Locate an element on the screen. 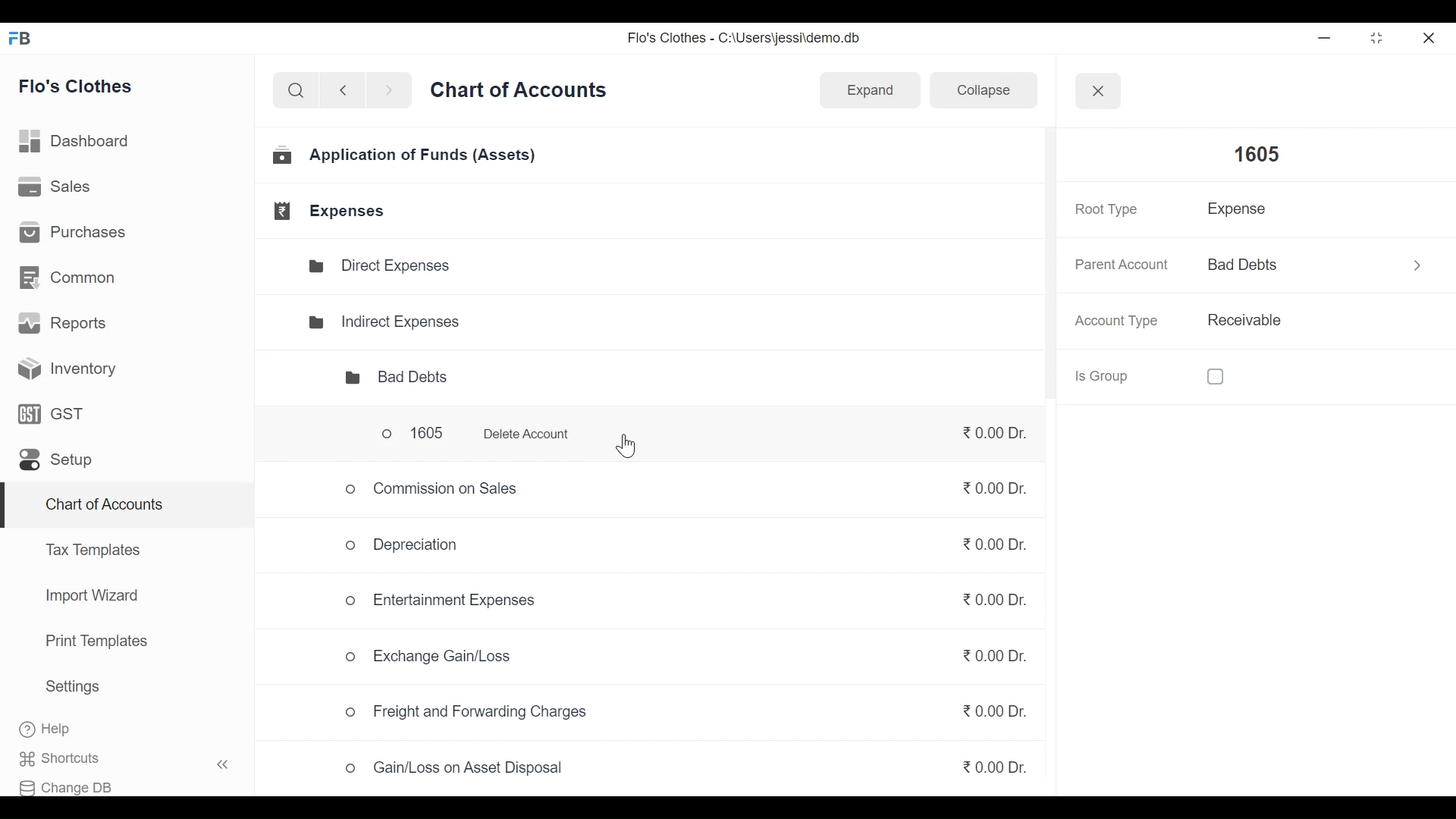  Entertainment Expenses is located at coordinates (443, 600).